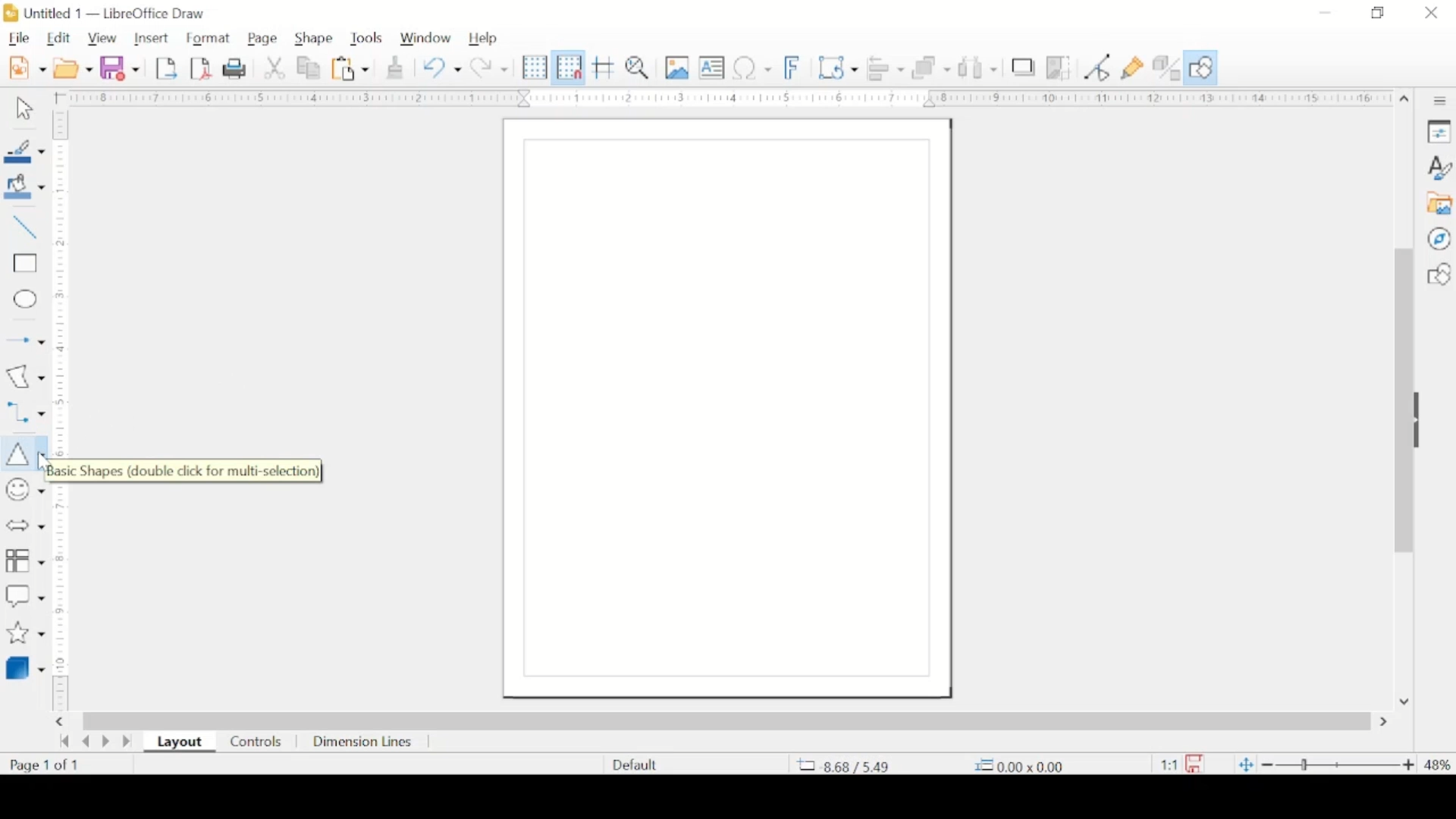  What do you see at coordinates (1440, 167) in the screenshot?
I see `styles` at bounding box center [1440, 167].